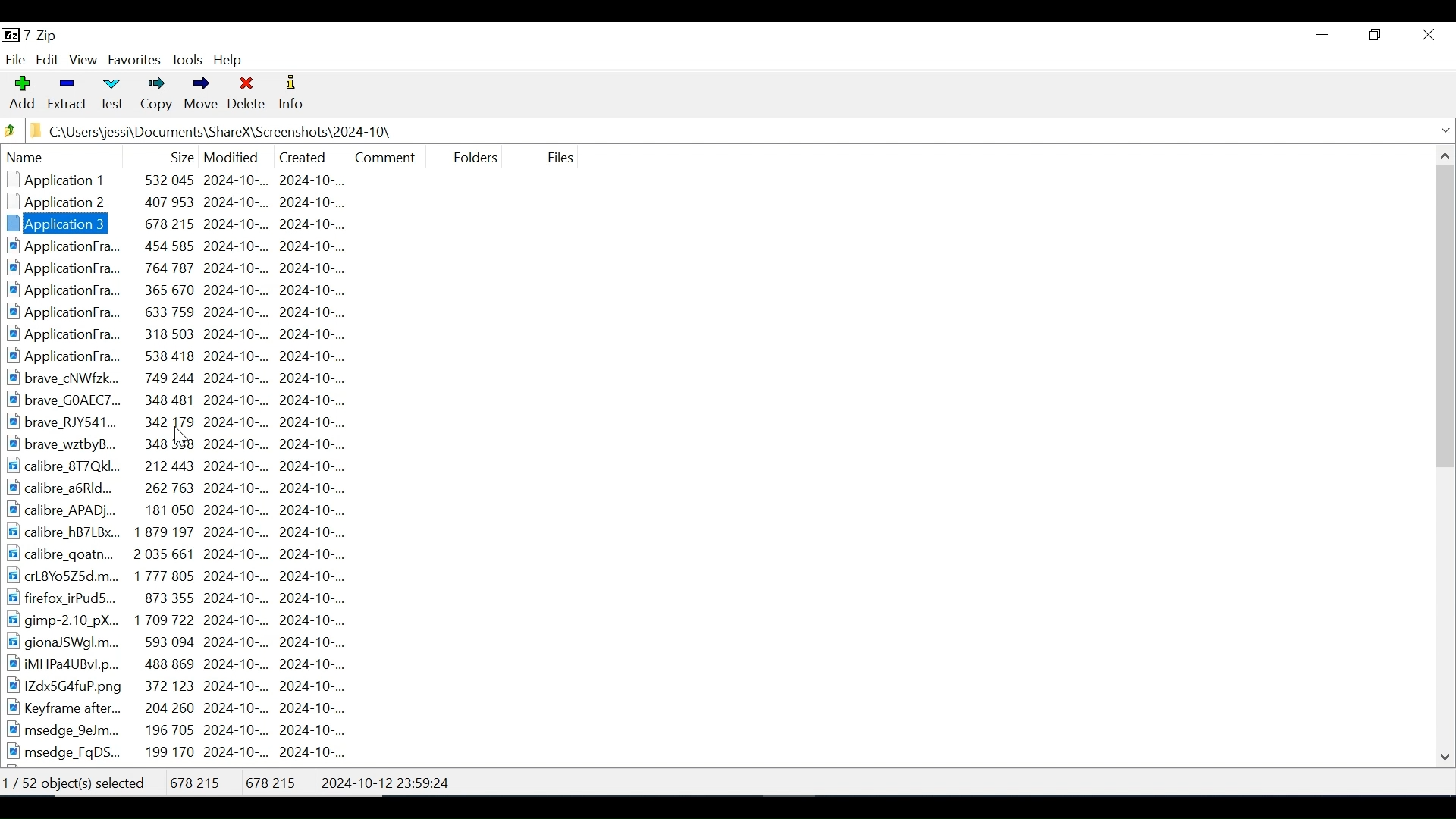 The width and height of the screenshot is (1456, 819). I want to click on  Application2 ~~ 407 953 2024-10-... 2024-10-..., so click(189, 204).